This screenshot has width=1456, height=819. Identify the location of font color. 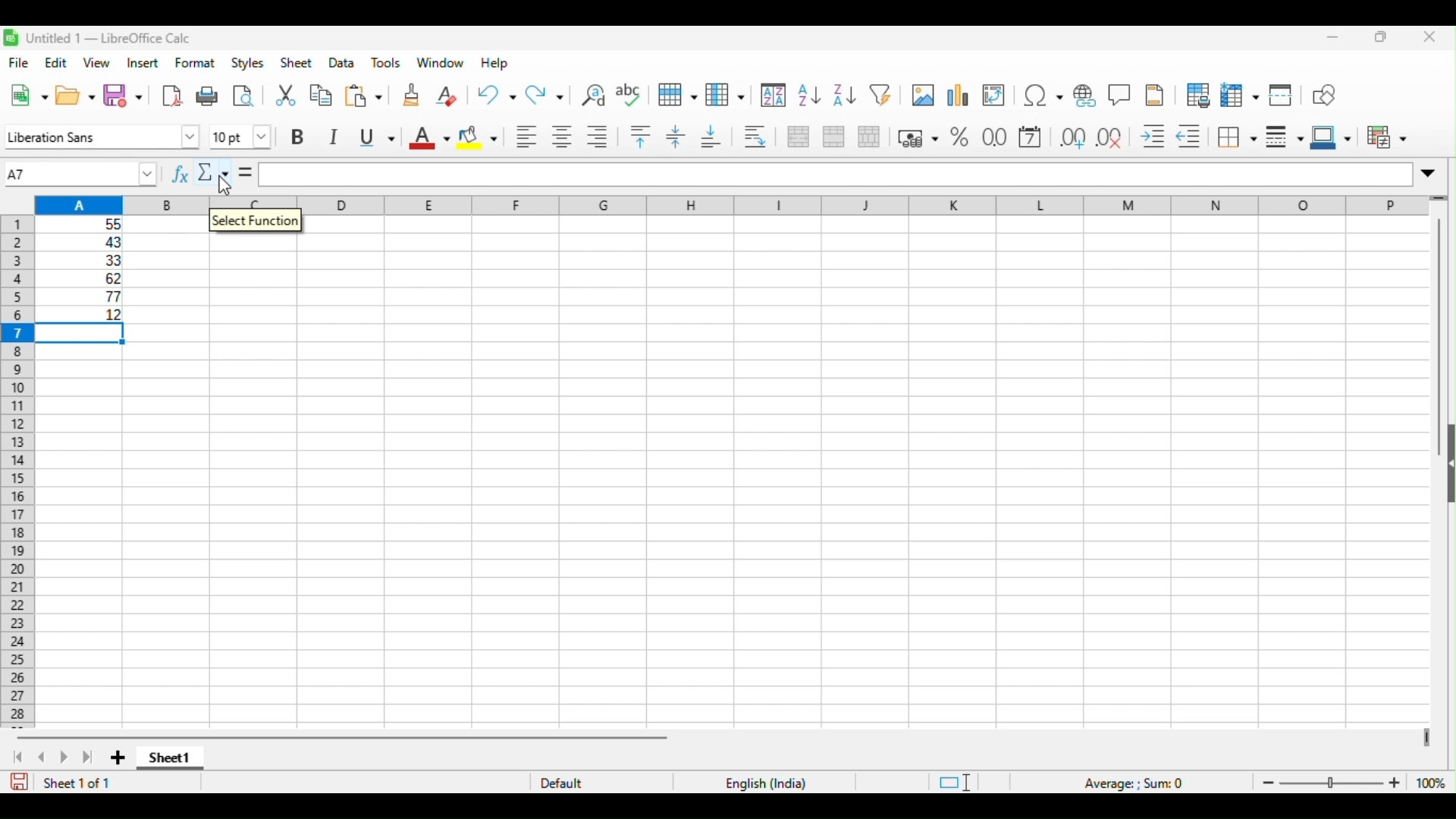
(428, 138).